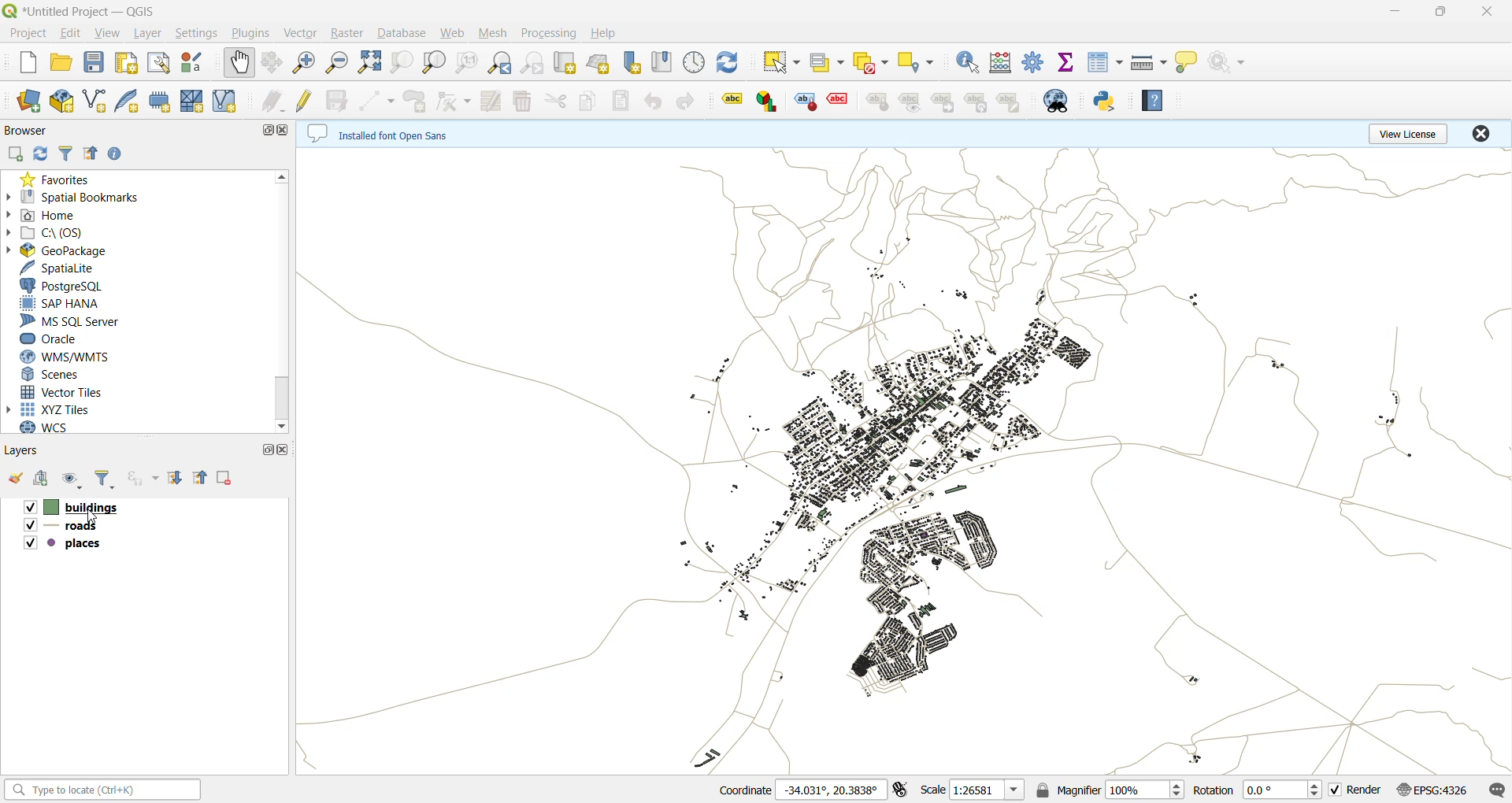 This screenshot has height=803, width=1512. I want to click on postgresql, so click(69, 286).